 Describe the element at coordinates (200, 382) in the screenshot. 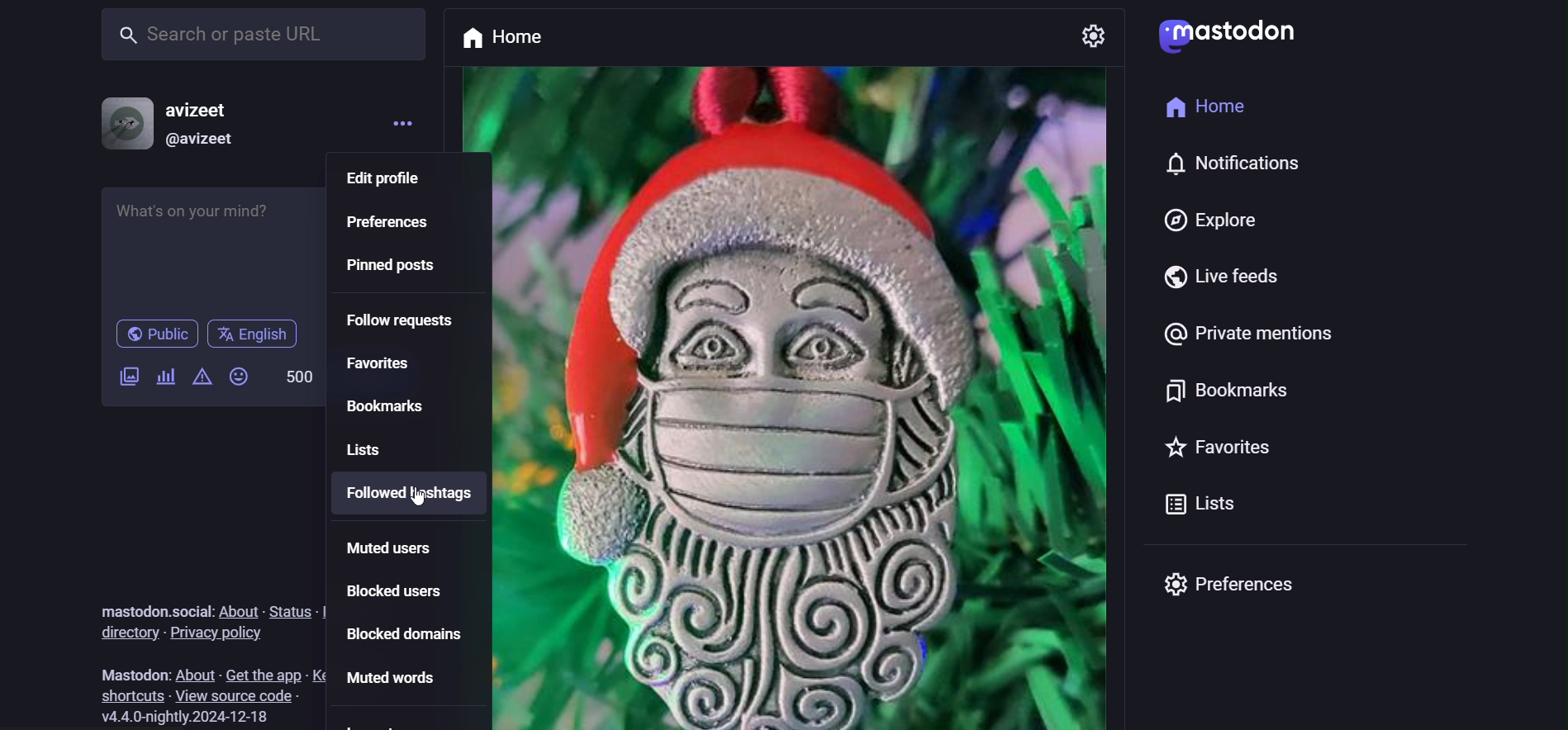

I see `content warning` at that location.